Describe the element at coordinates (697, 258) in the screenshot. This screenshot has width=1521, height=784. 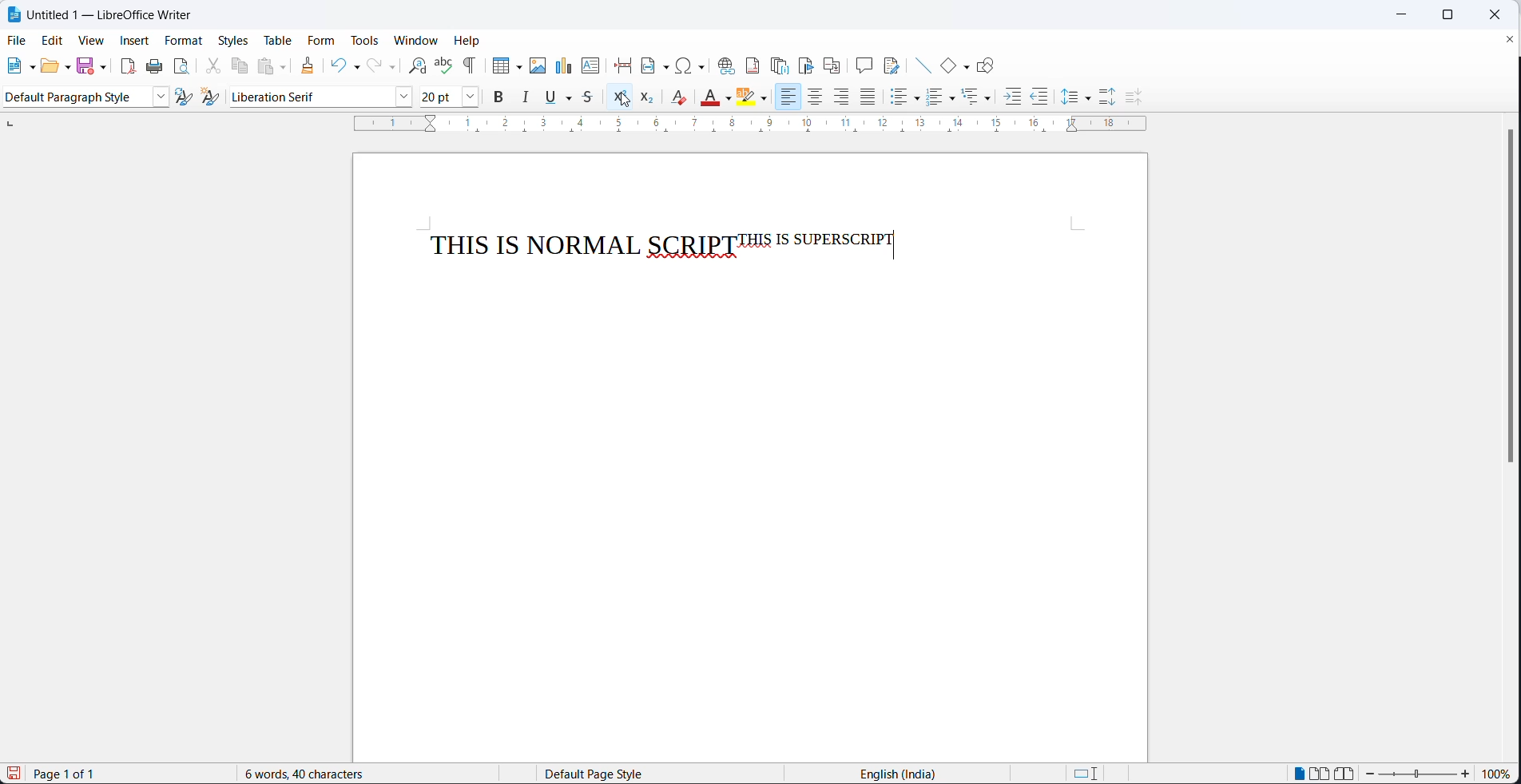
I see `wrong format marking` at that location.